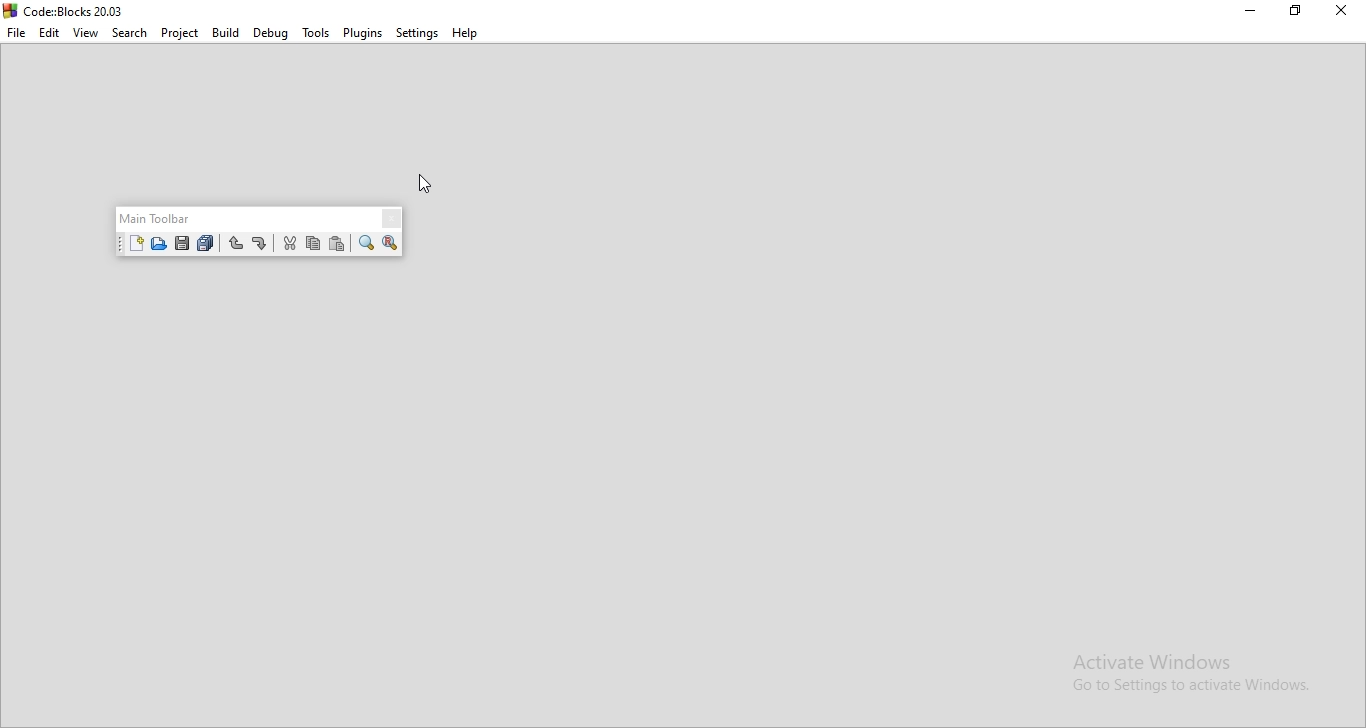 The height and width of the screenshot is (728, 1366). What do you see at coordinates (207, 243) in the screenshot?
I see `save everything` at bounding box center [207, 243].